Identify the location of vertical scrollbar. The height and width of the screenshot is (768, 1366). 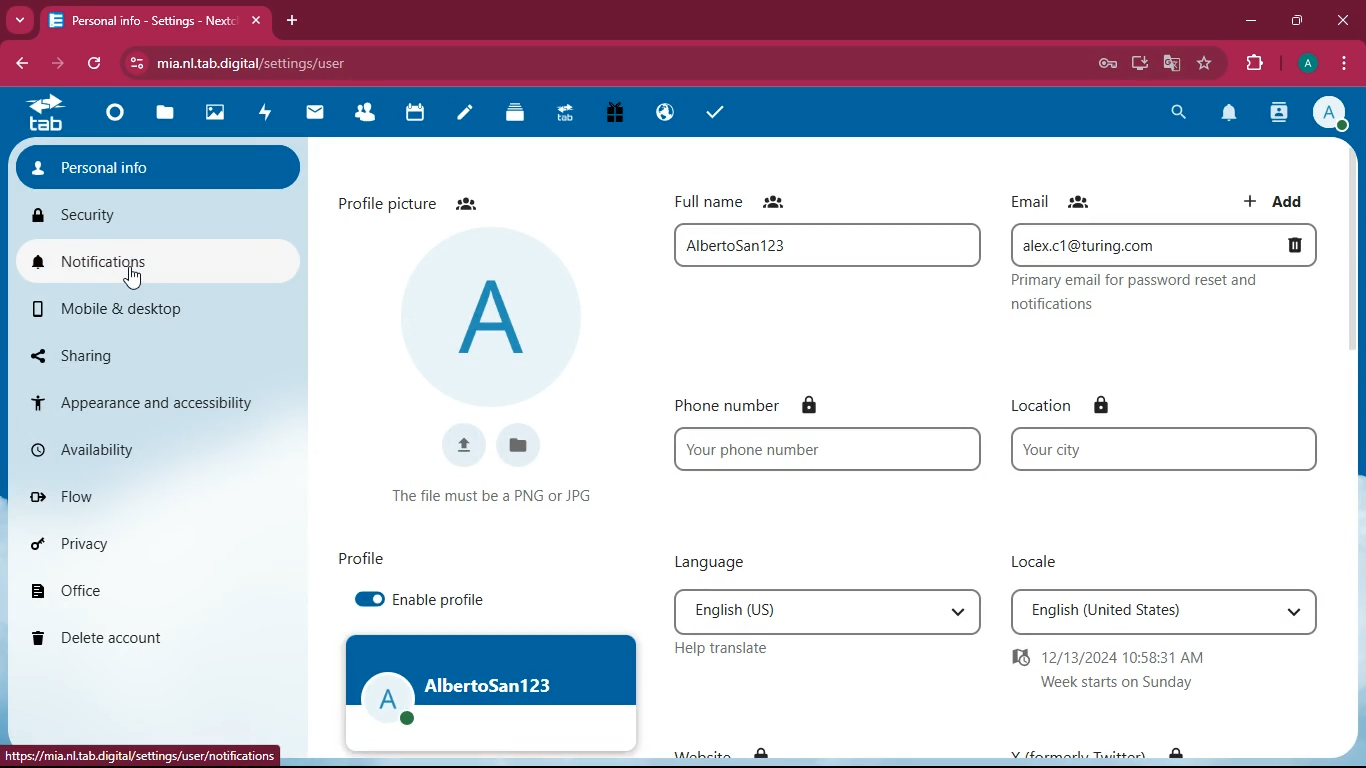
(1348, 249).